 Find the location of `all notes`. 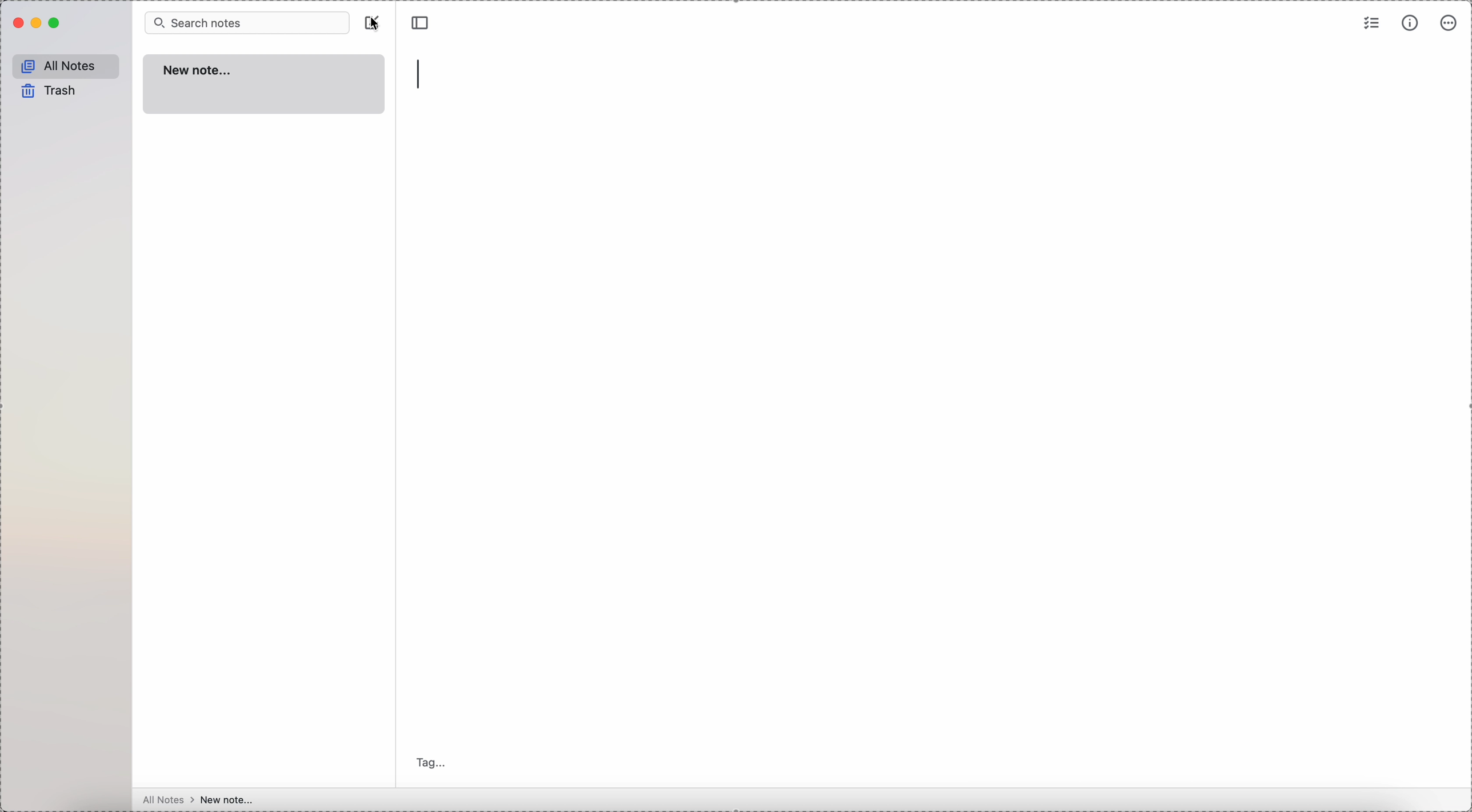

all notes is located at coordinates (165, 801).